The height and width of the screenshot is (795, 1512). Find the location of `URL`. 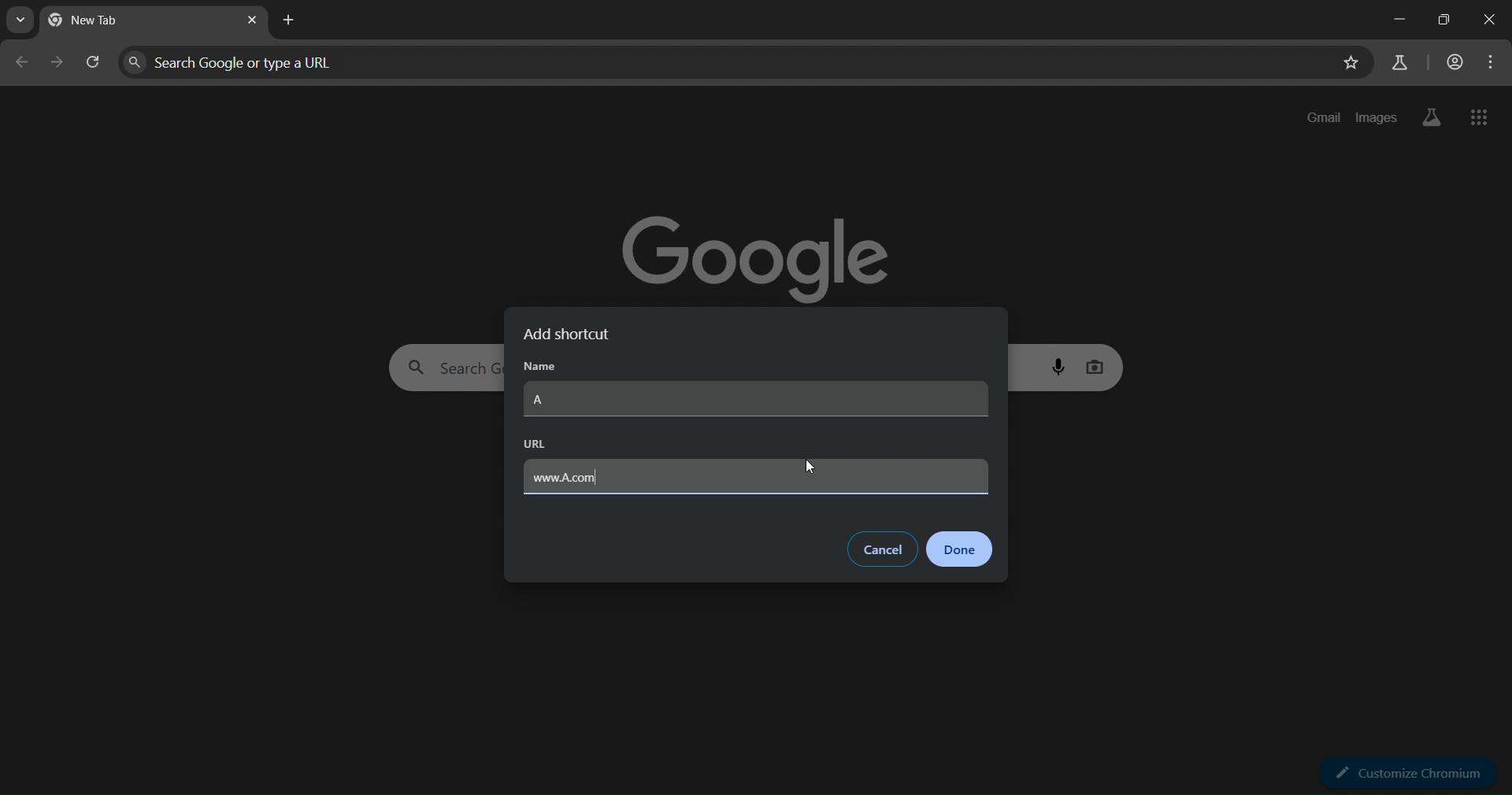

URL is located at coordinates (535, 442).